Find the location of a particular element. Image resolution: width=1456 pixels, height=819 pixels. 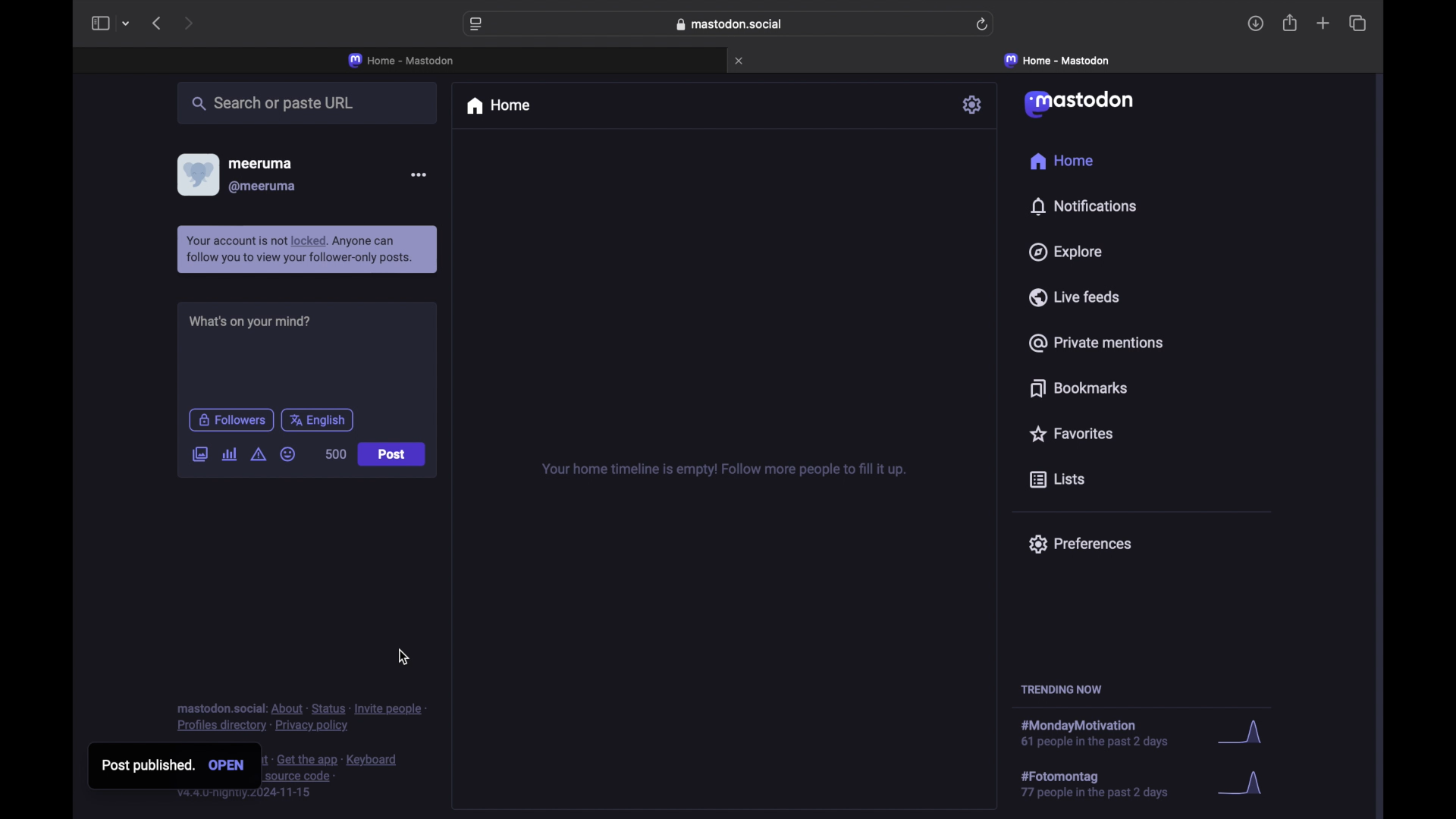

home mastodon is located at coordinates (1057, 60).